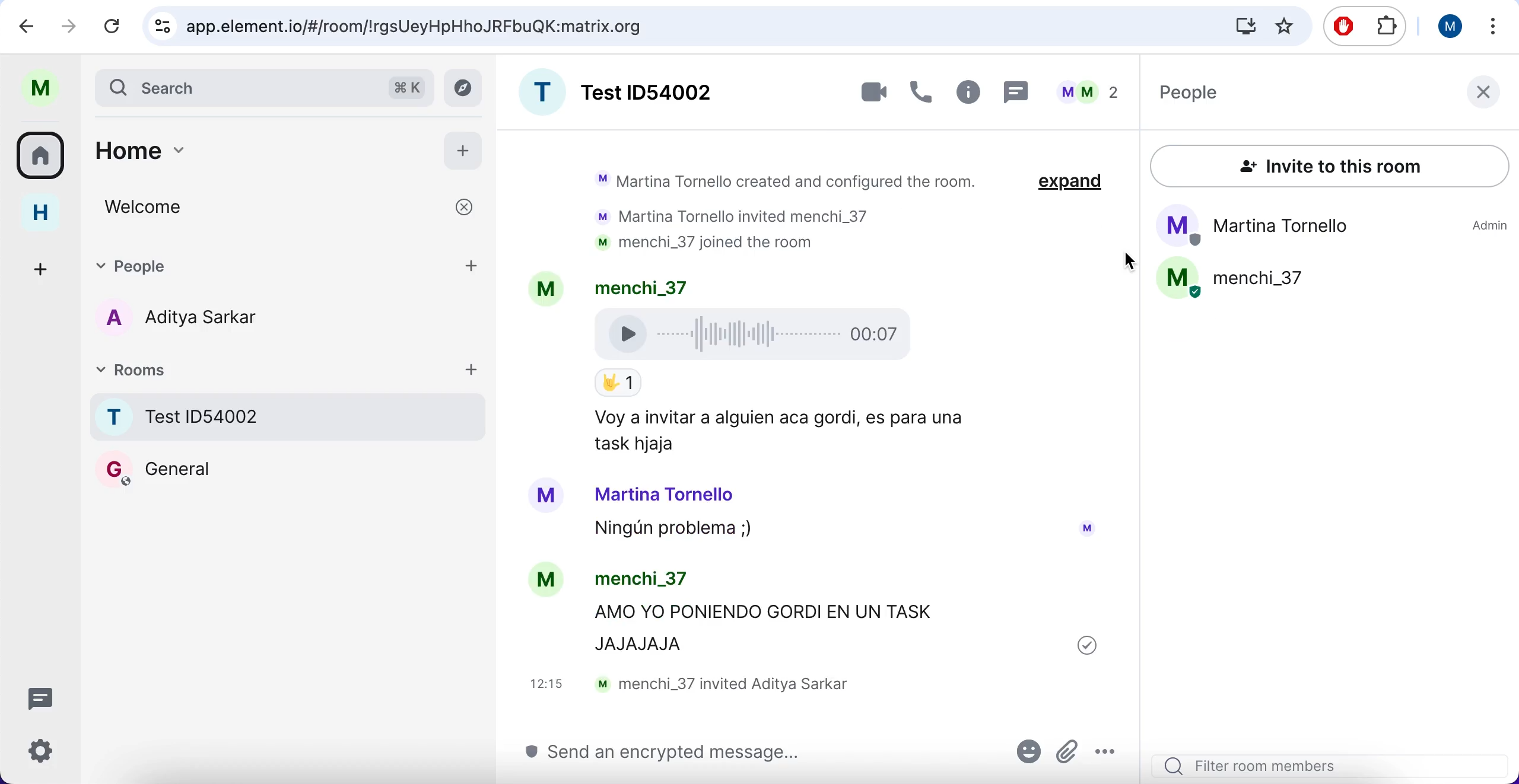 The image size is (1519, 784). I want to click on people, so click(1293, 98).